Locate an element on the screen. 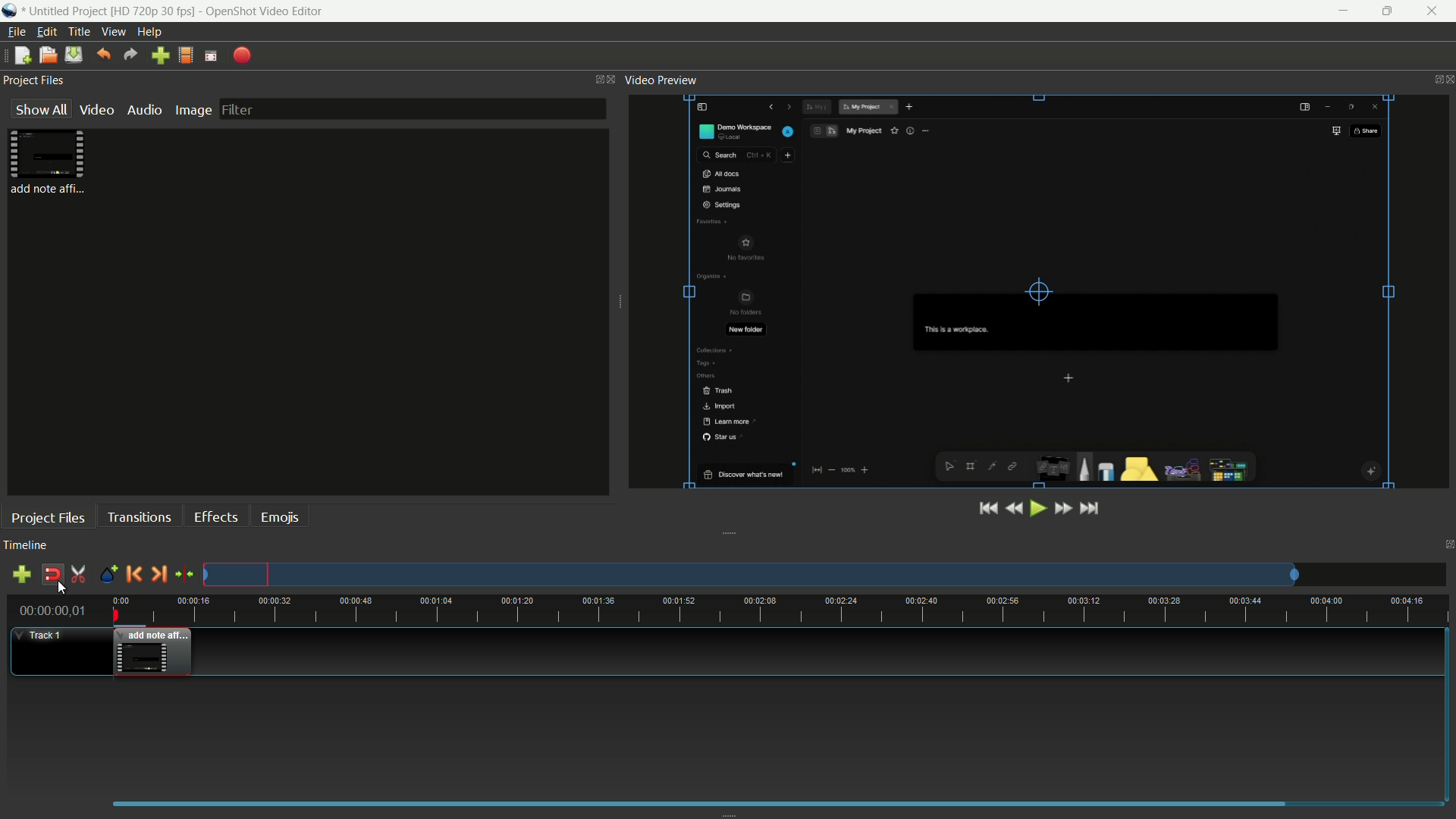 The image size is (1456, 819). profile is located at coordinates (185, 56).